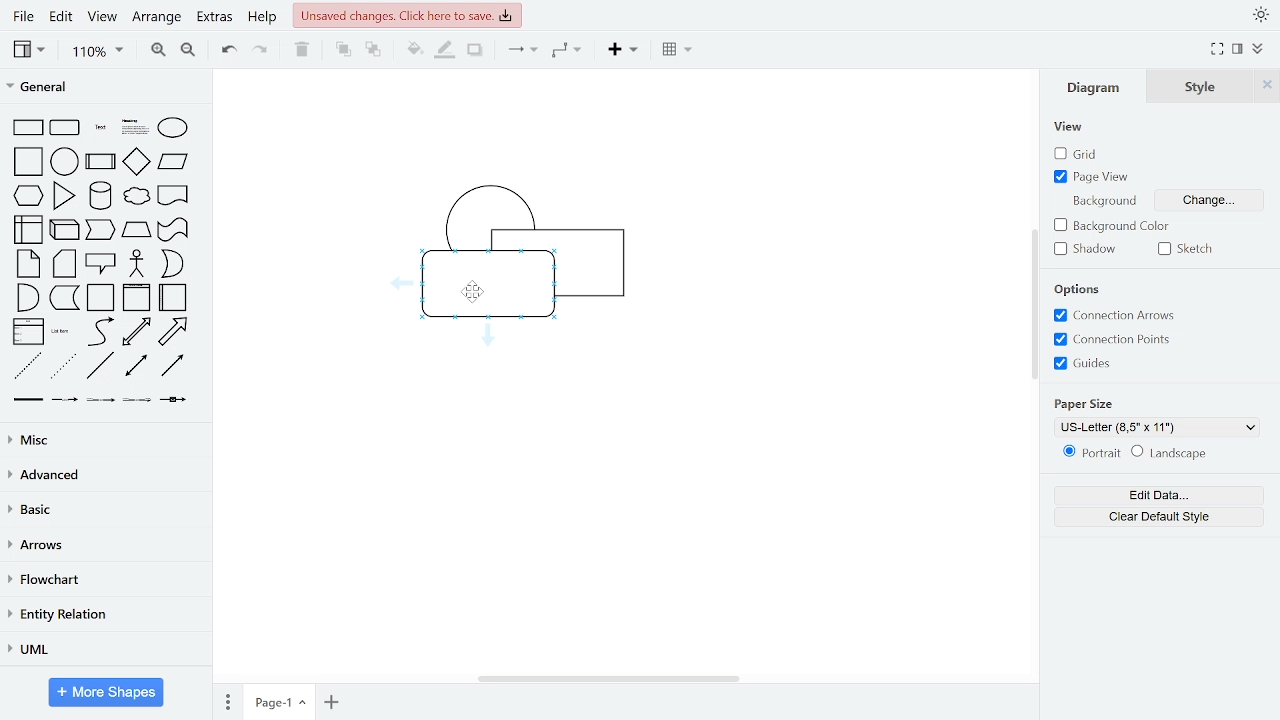  Describe the element at coordinates (1217, 49) in the screenshot. I see `full screen` at that location.